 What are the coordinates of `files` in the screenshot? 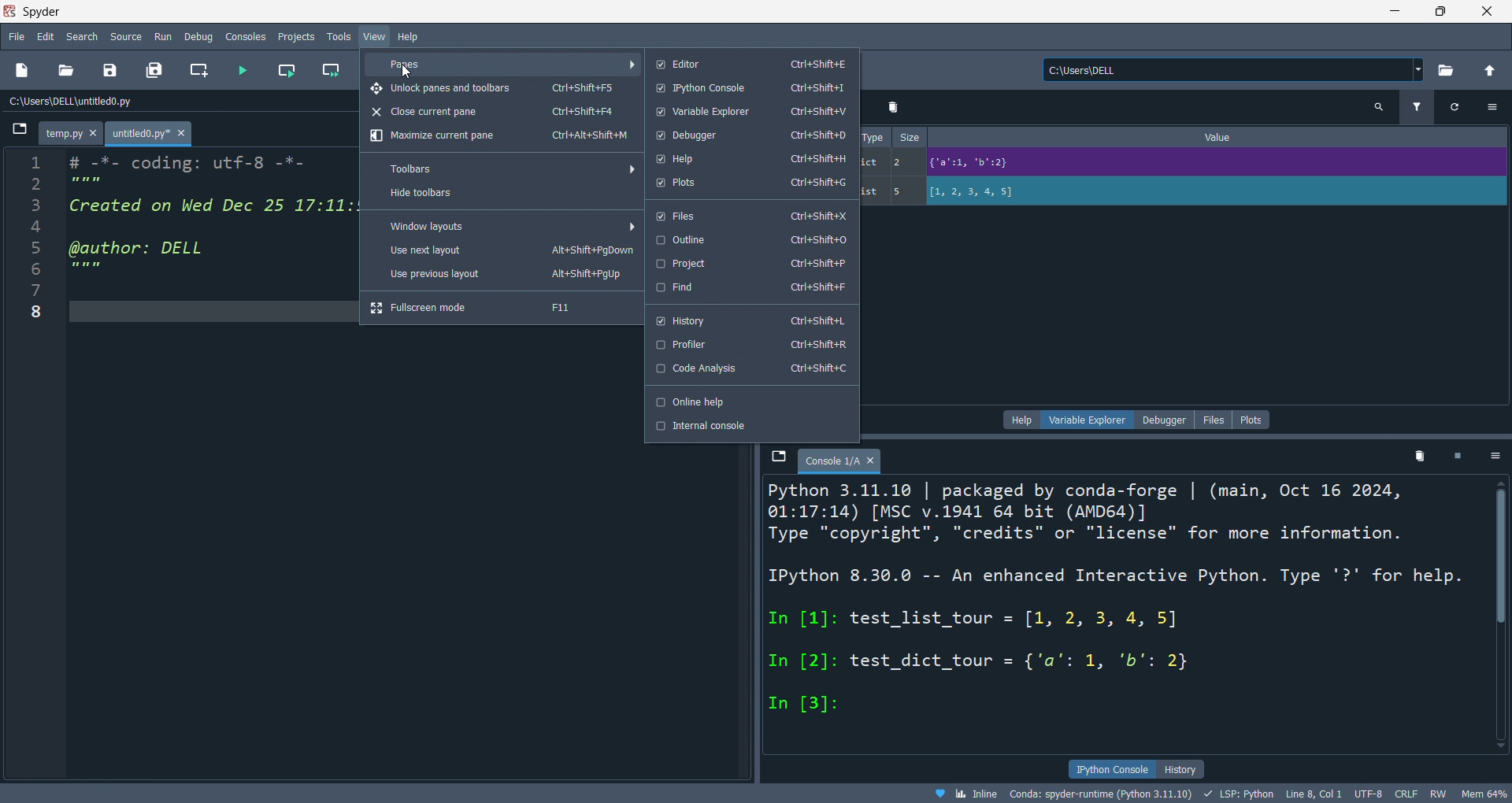 It's located at (1212, 419).